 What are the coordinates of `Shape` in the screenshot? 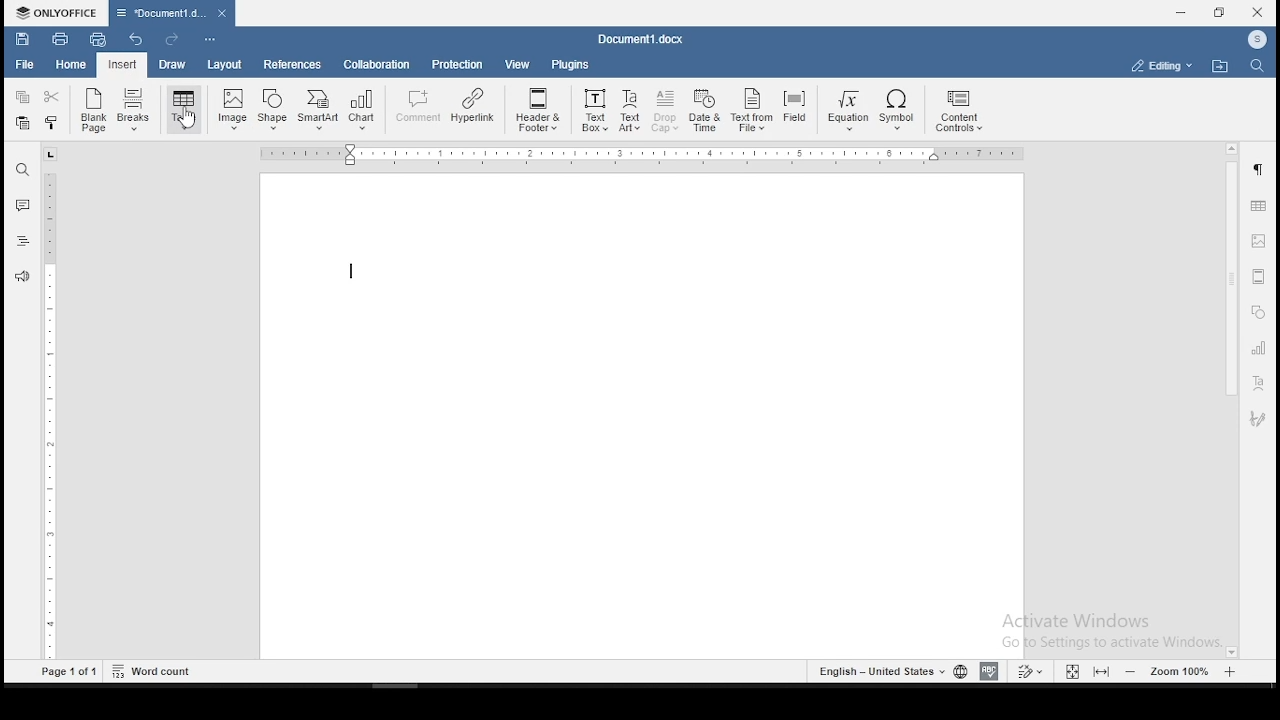 It's located at (274, 108).